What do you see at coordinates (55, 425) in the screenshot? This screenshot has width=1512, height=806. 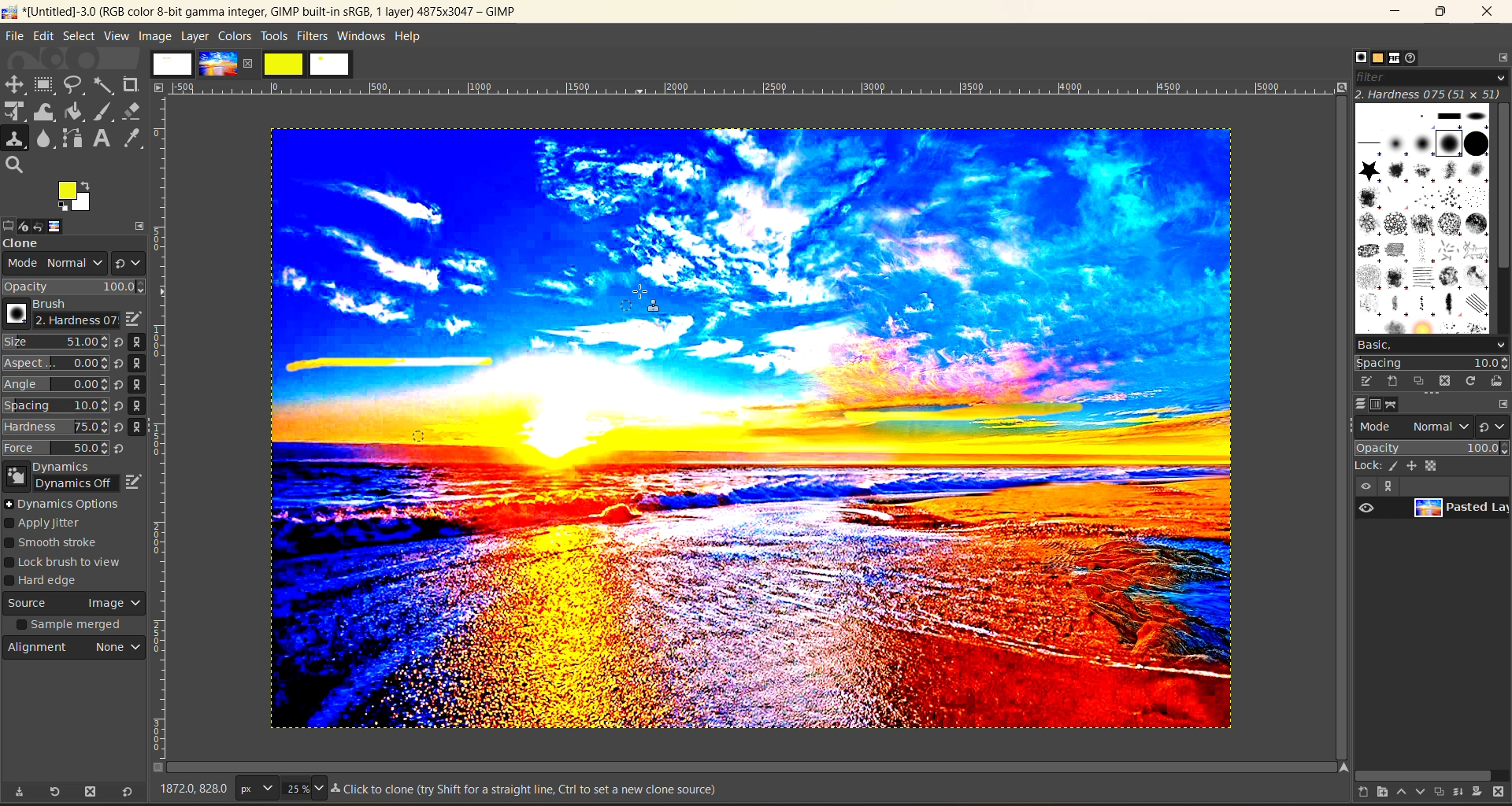 I see `[Hardness 75.0` at bounding box center [55, 425].